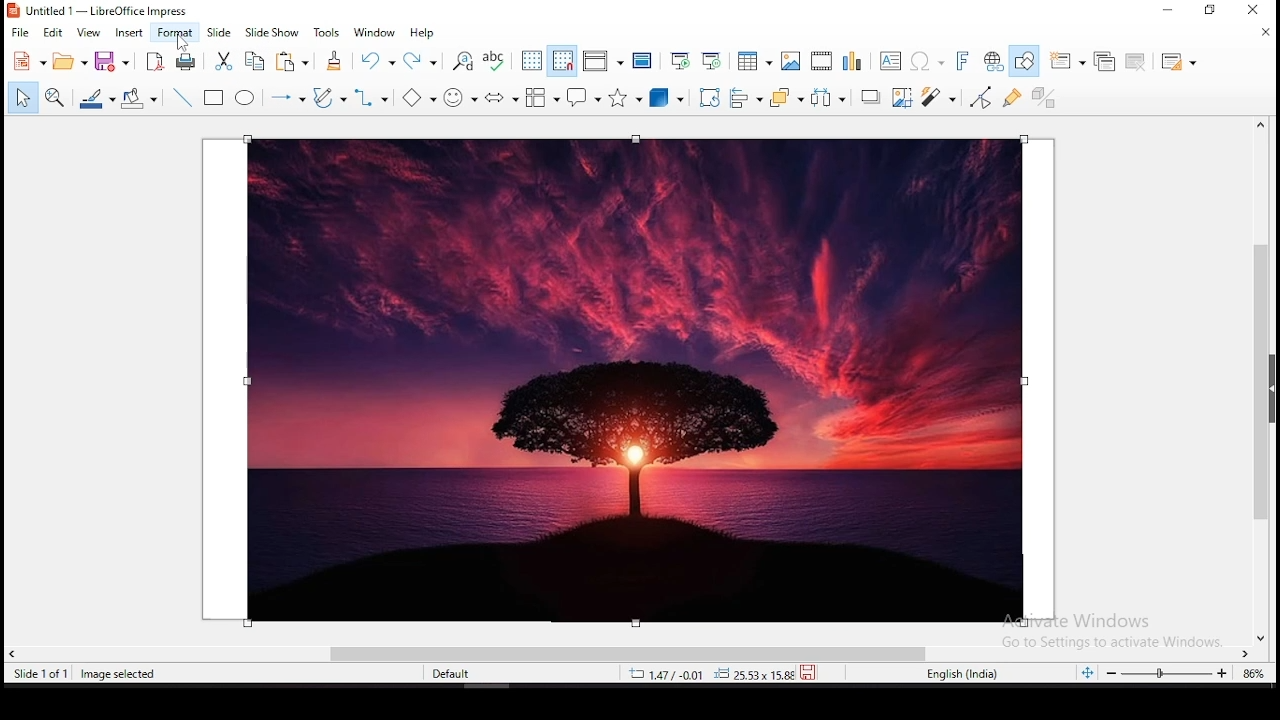  Describe the element at coordinates (712, 59) in the screenshot. I see `start from current slide` at that location.